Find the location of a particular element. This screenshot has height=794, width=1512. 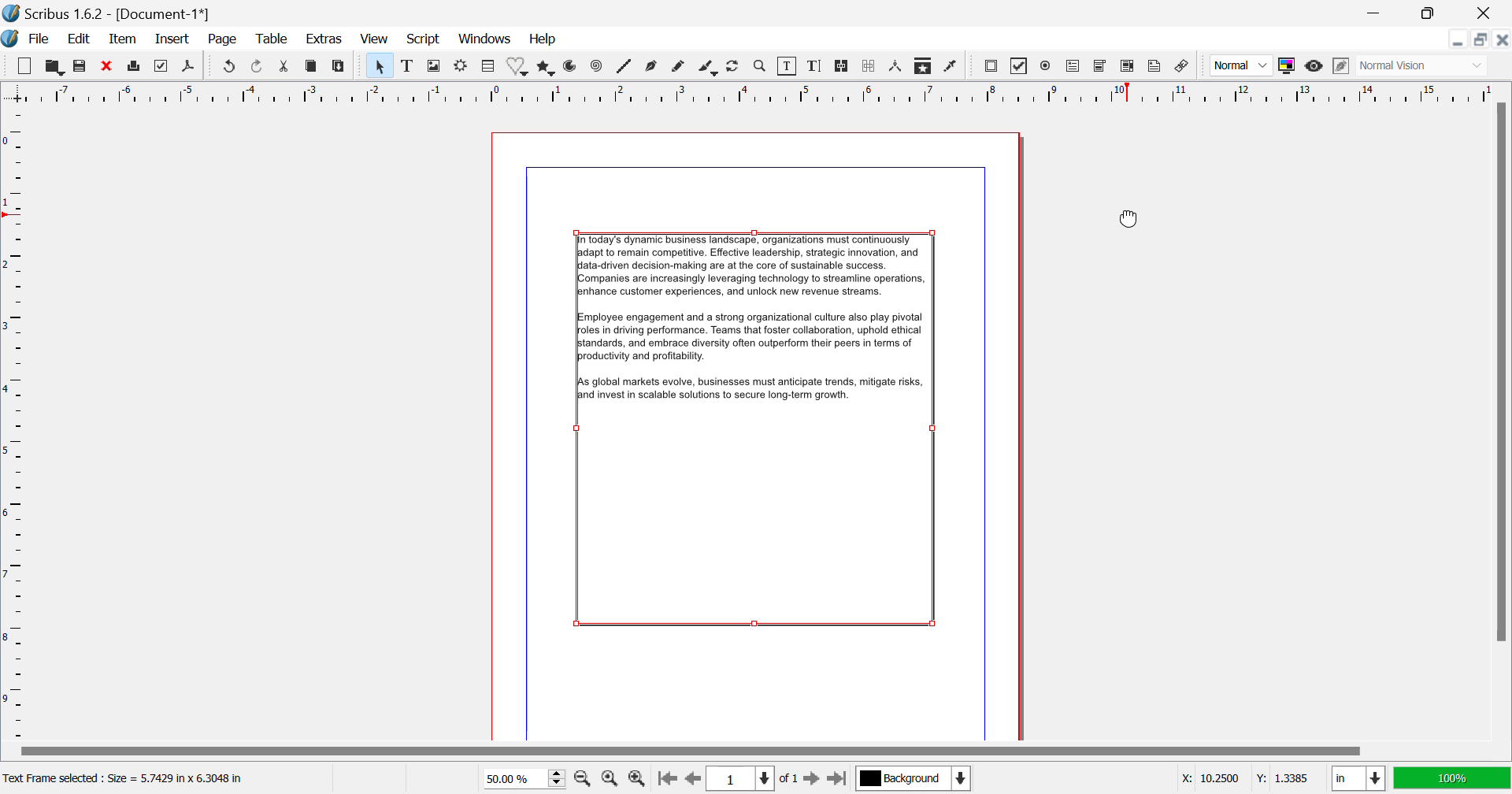

Script is located at coordinates (422, 40).